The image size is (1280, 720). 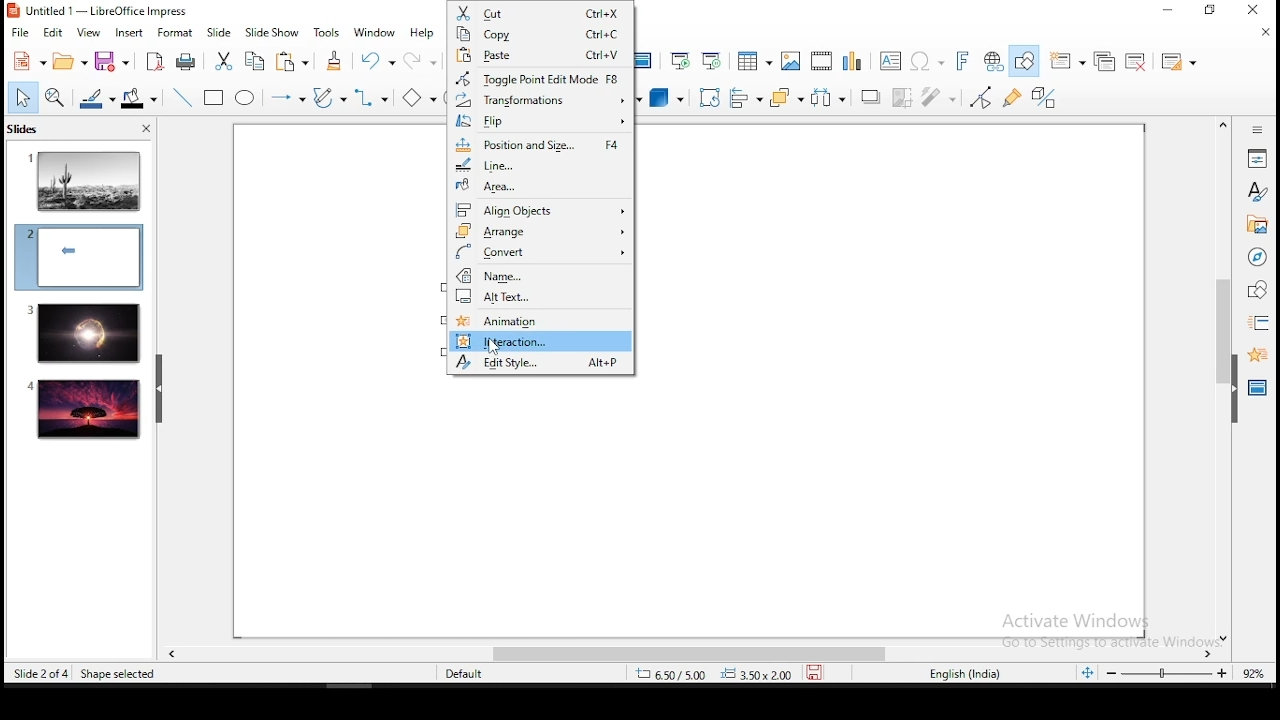 I want to click on special characters, so click(x=924, y=62).